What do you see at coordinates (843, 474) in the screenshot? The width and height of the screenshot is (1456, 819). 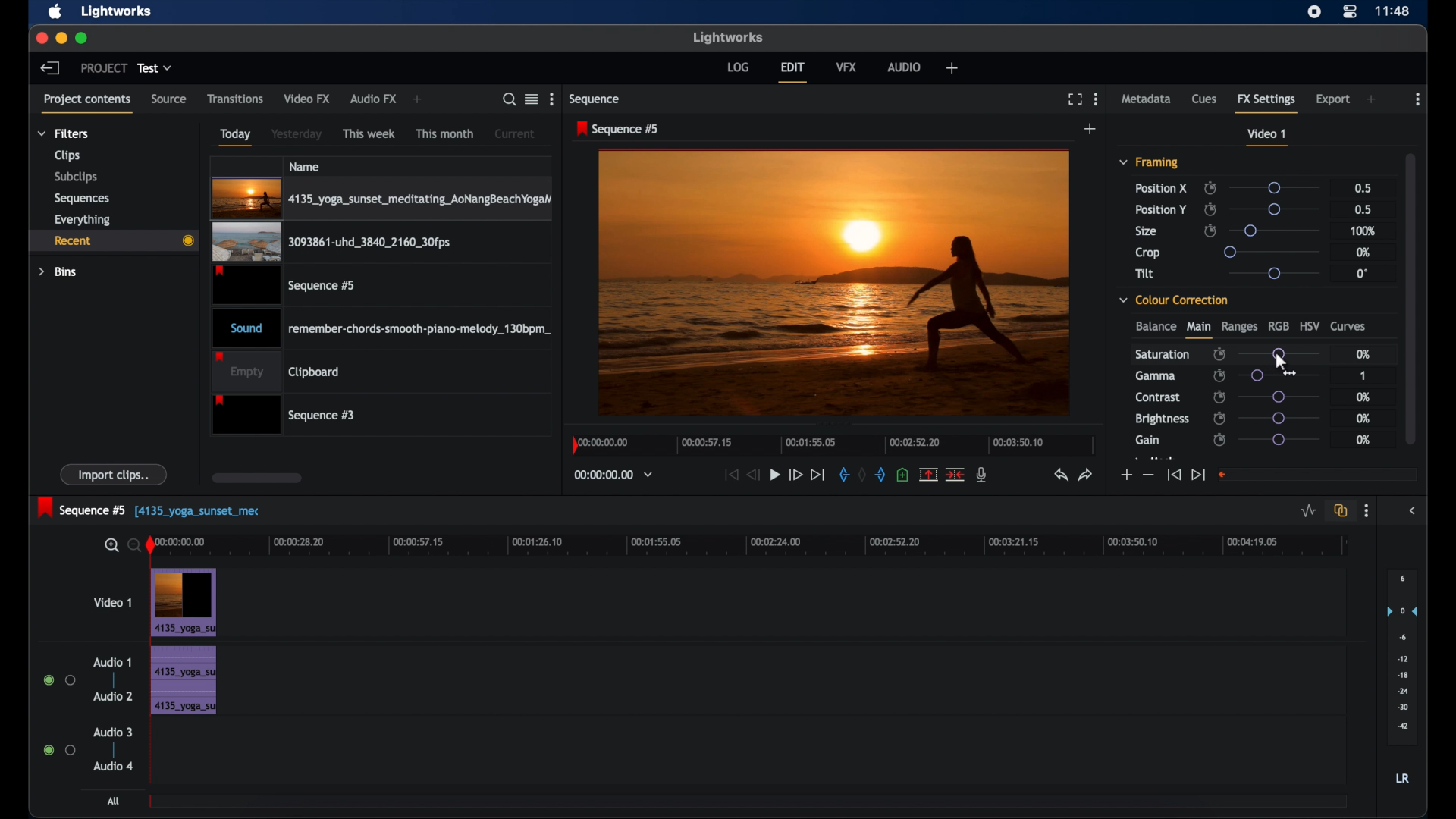 I see `in mark` at bounding box center [843, 474].